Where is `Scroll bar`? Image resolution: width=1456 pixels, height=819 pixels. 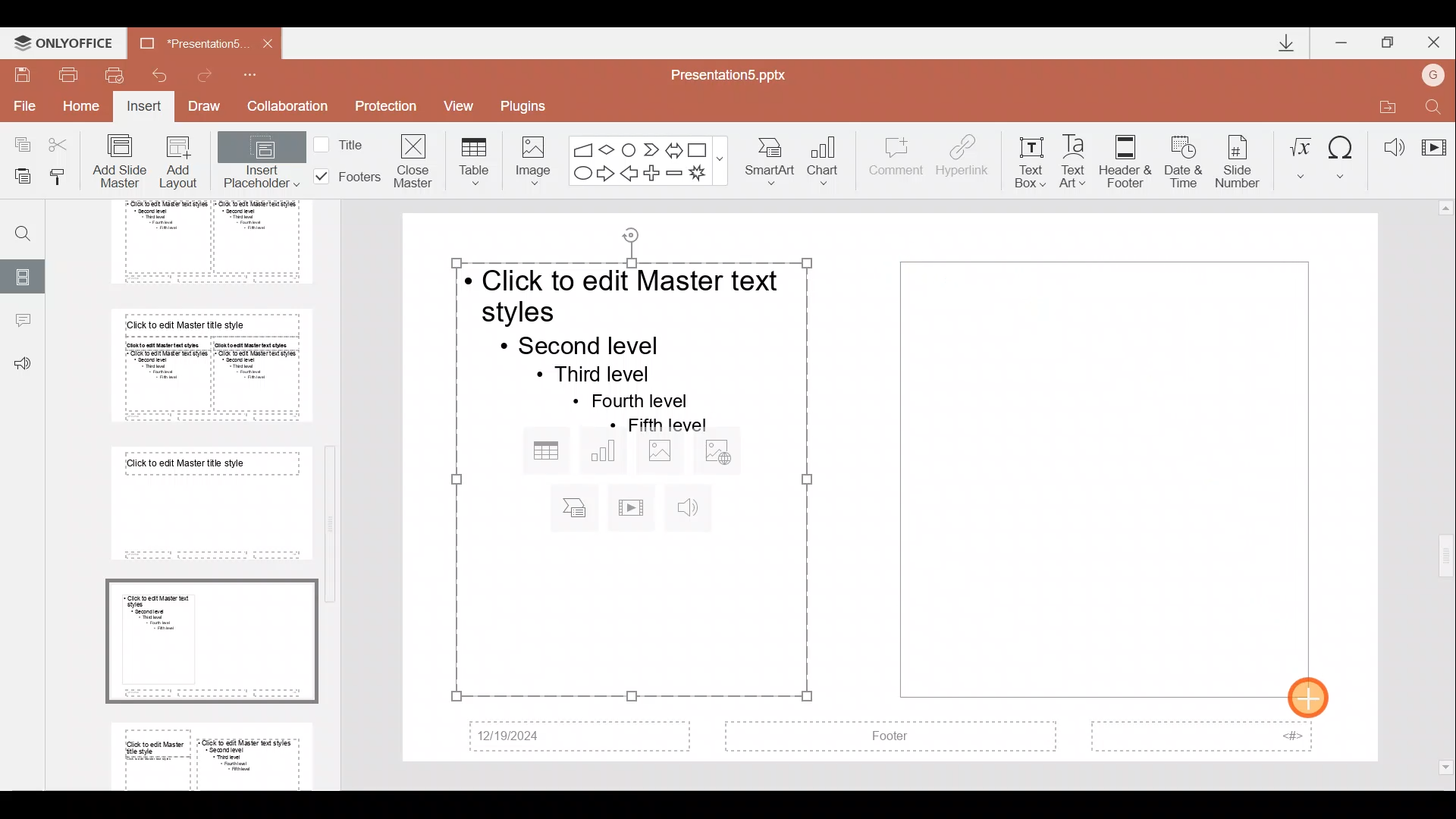
Scroll bar is located at coordinates (334, 485).